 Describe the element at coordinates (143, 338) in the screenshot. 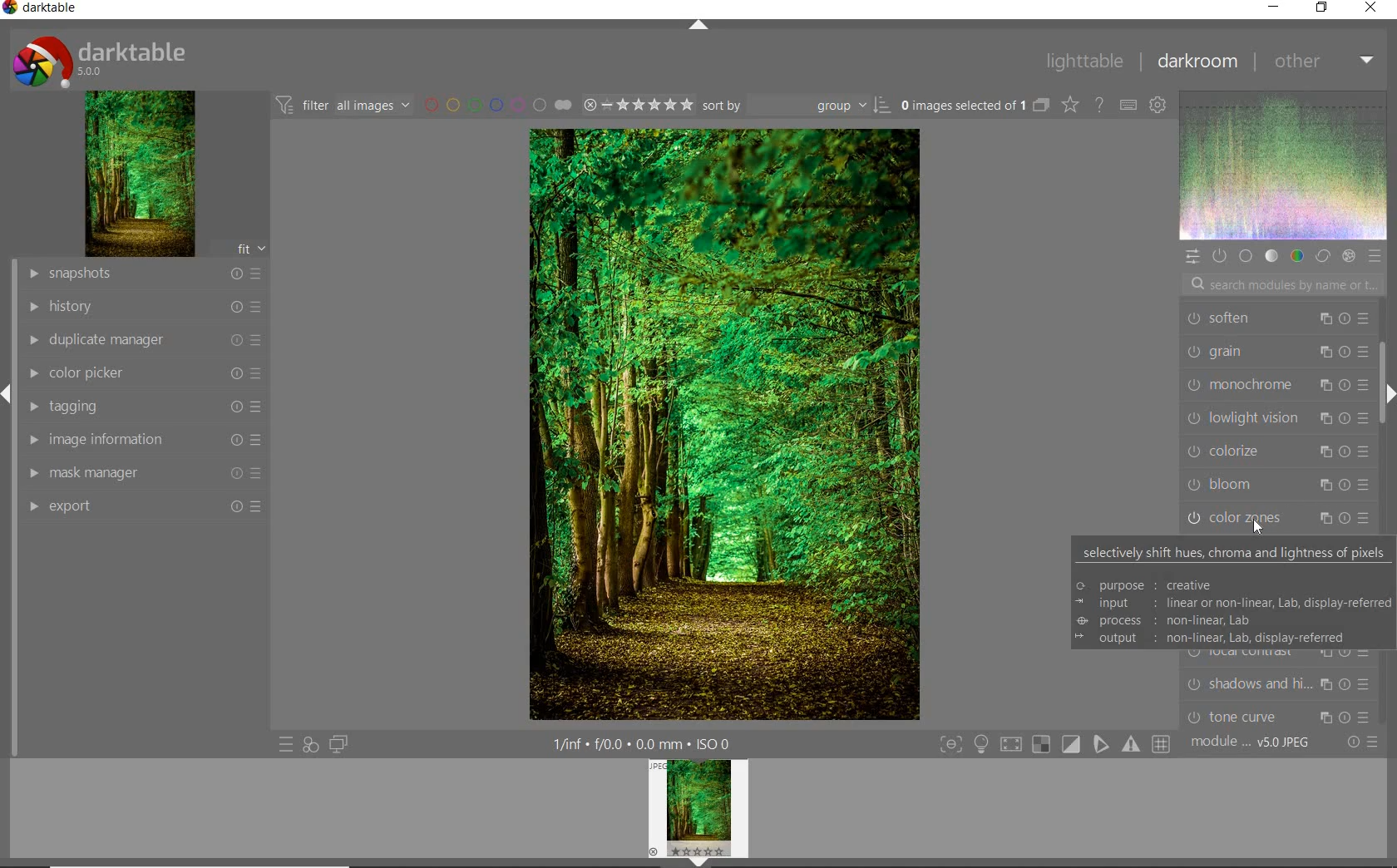

I see `DUPLICATE MANAGER` at that location.